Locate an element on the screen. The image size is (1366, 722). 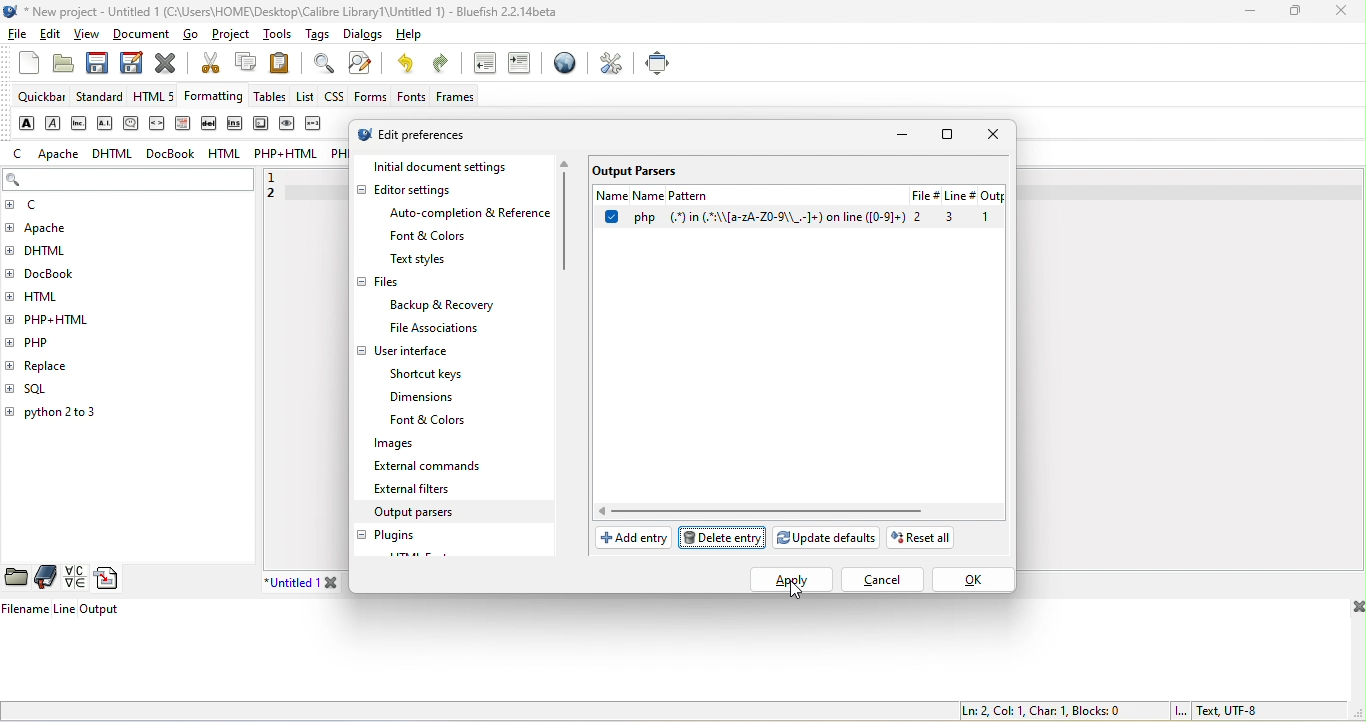
css is located at coordinates (335, 99).